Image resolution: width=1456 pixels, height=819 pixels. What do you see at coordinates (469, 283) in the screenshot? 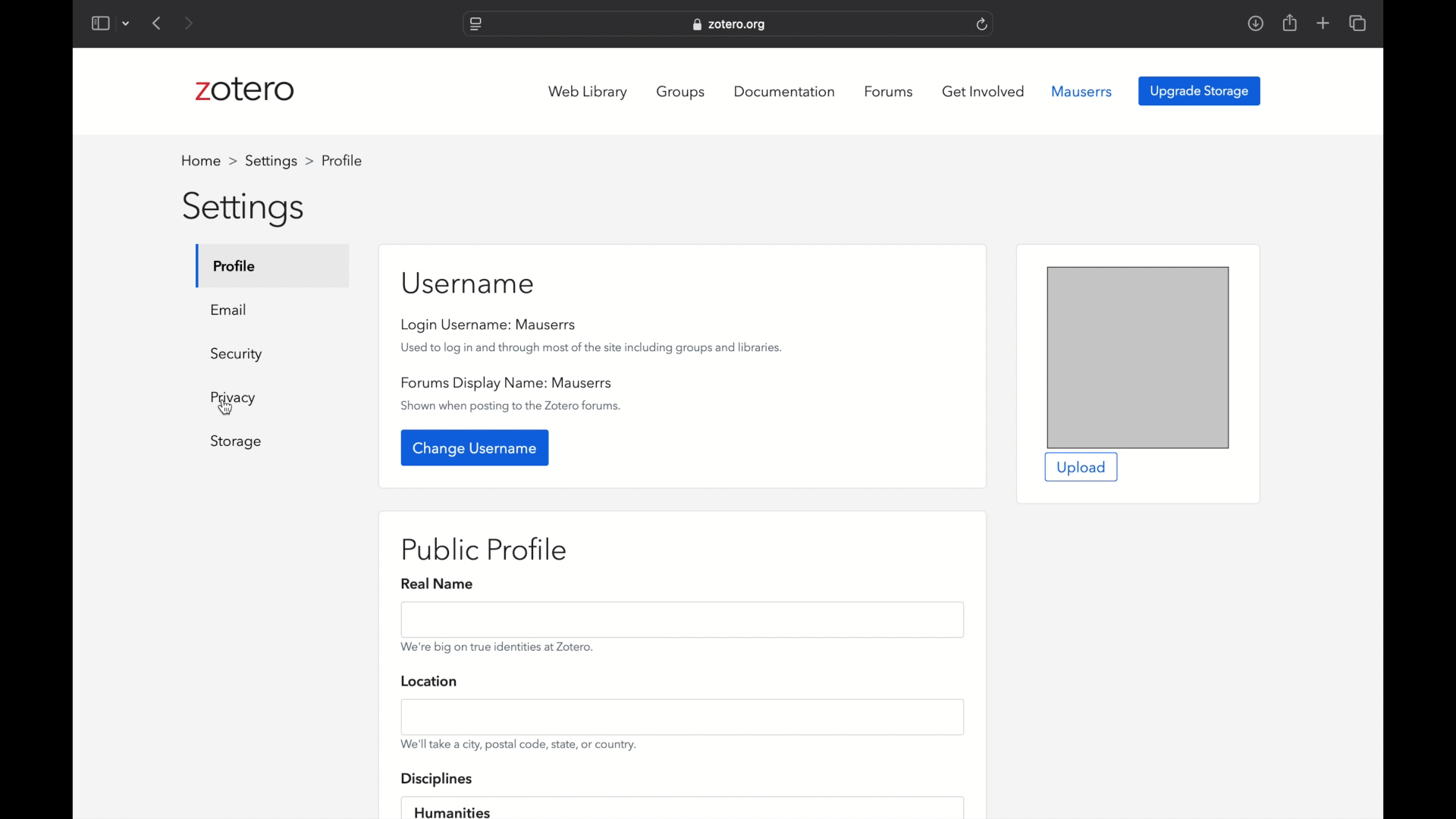
I see `username` at bounding box center [469, 283].